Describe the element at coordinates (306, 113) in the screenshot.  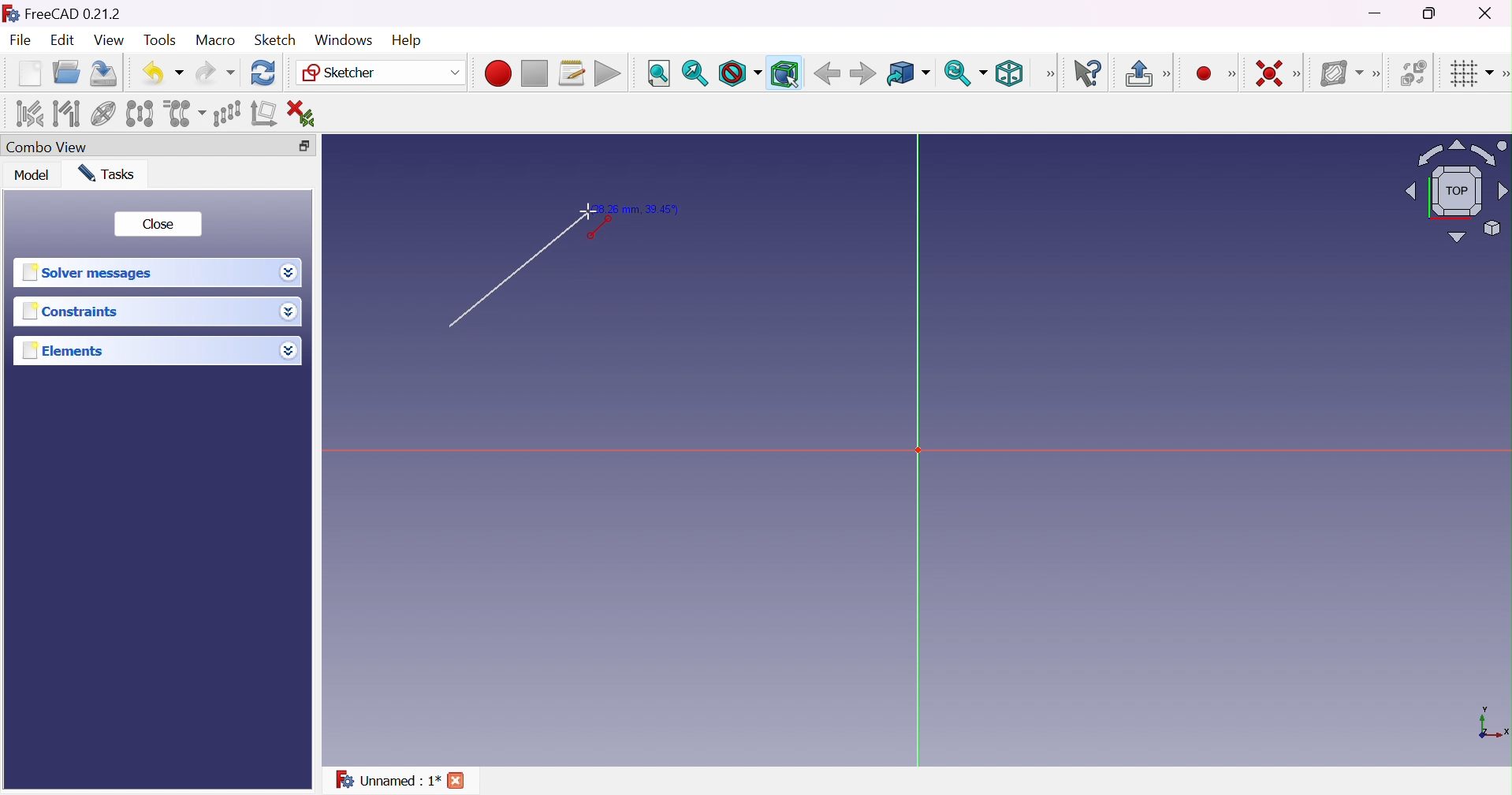
I see `Delete all constraints` at that location.